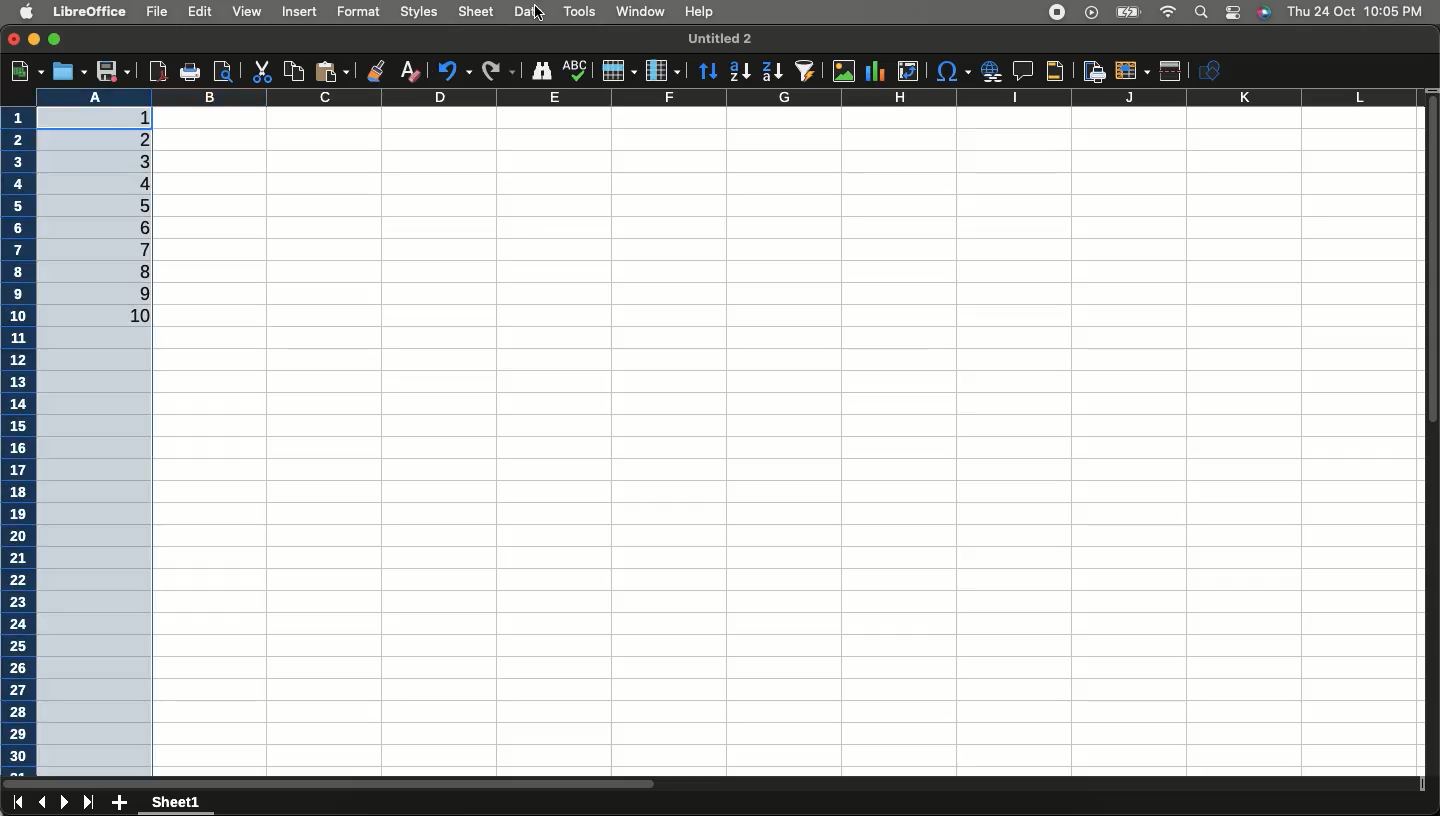 This screenshot has width=1440, height=816. What do you see at coordinates (1131, 71) in the screenshot?
I see `Freeze rows and columns` at bounding box center [1131, 71].